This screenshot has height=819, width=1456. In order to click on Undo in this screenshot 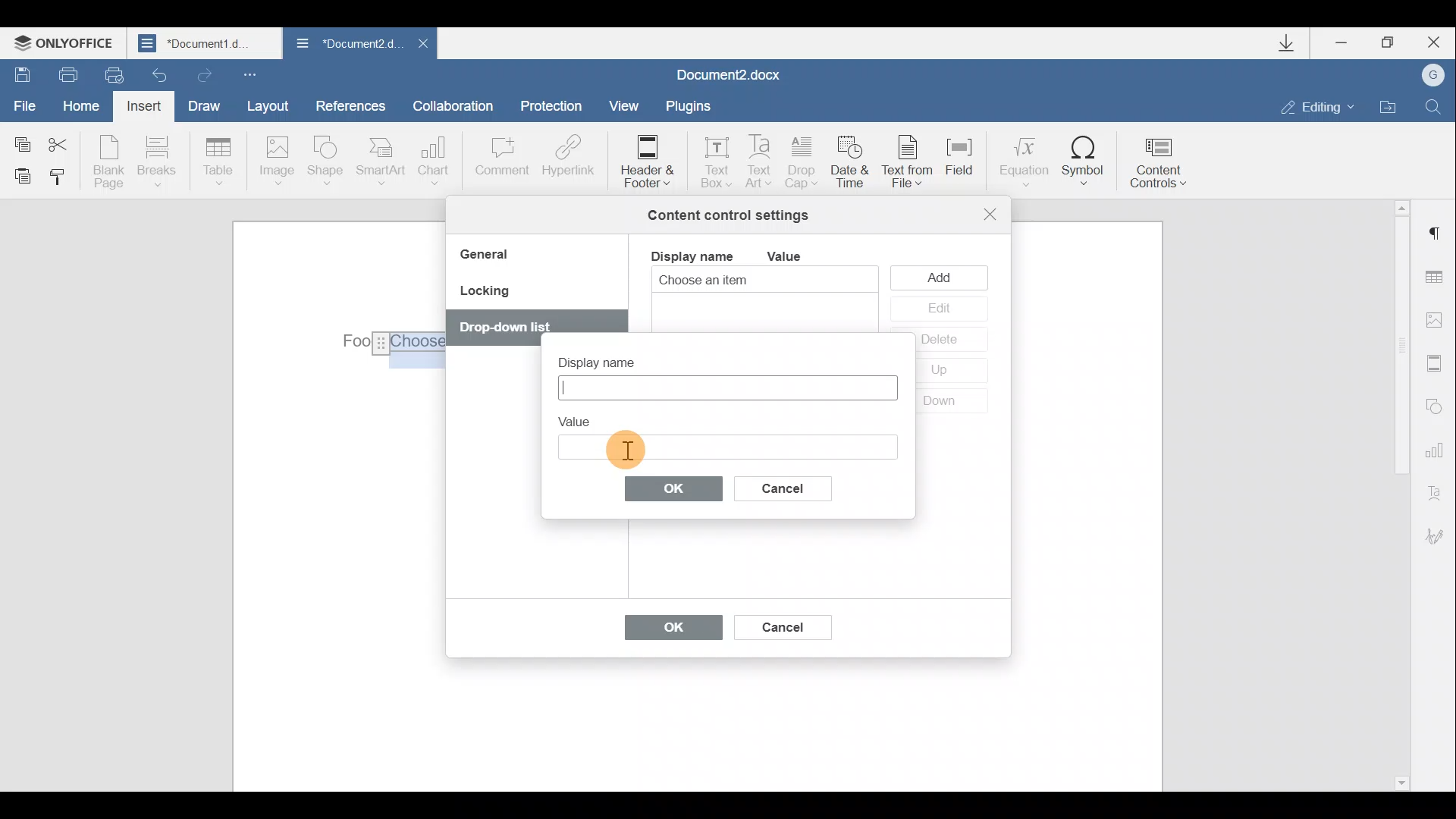, I will do `click(161, 71)`.